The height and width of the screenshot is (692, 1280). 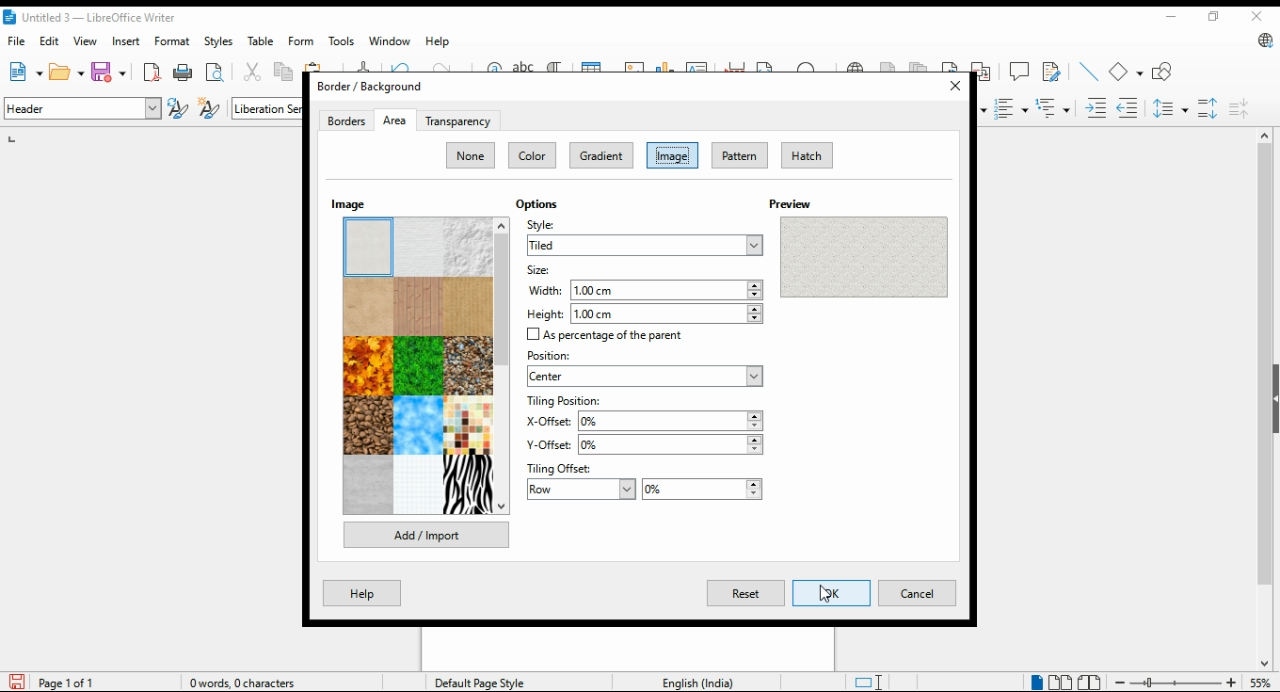 I want to click on insert comment, so click(x=1019, y=70).